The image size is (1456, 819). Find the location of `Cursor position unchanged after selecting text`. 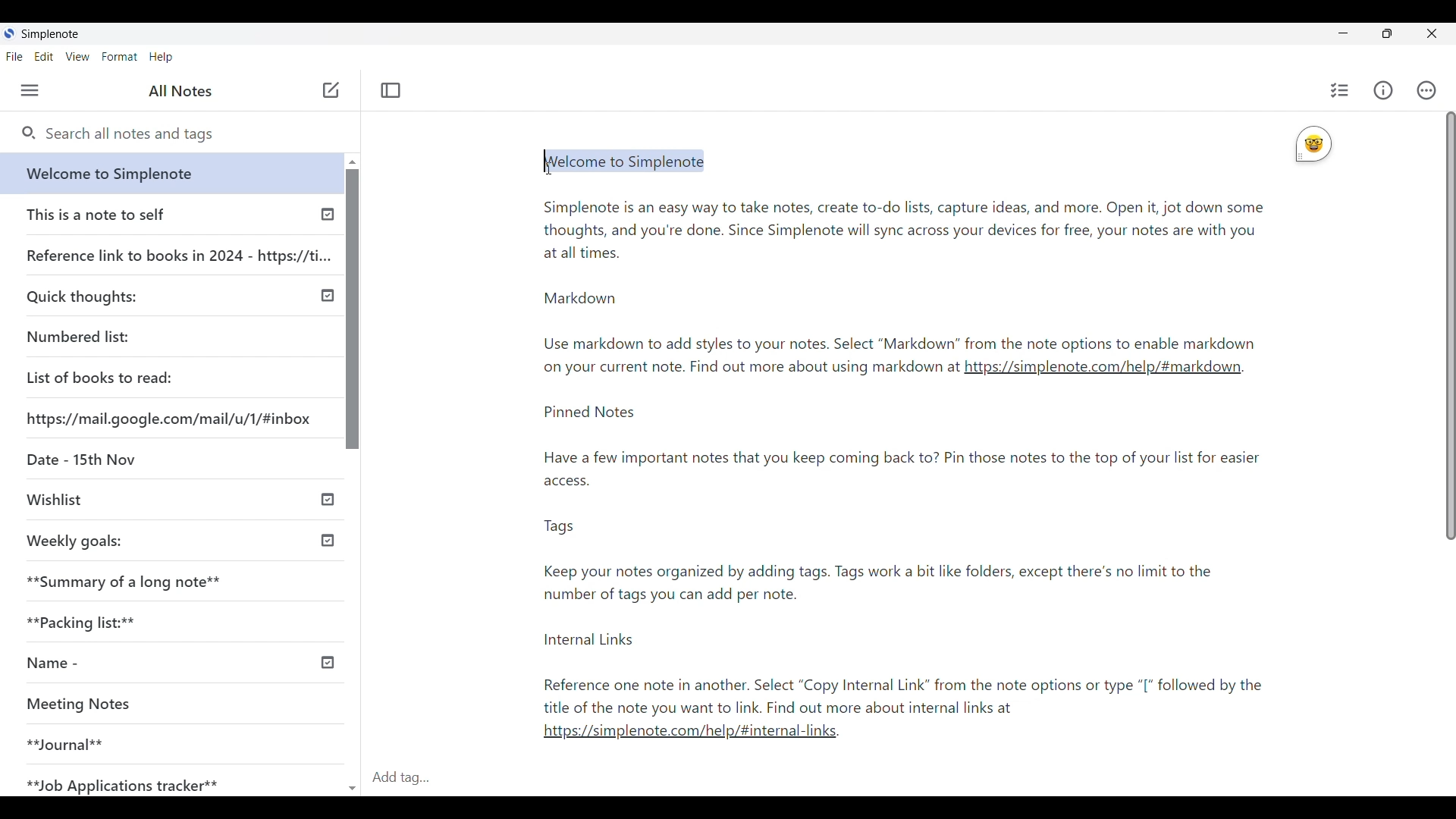

Cursor position unchanged after selecting text is located at coordinates (553, 163).